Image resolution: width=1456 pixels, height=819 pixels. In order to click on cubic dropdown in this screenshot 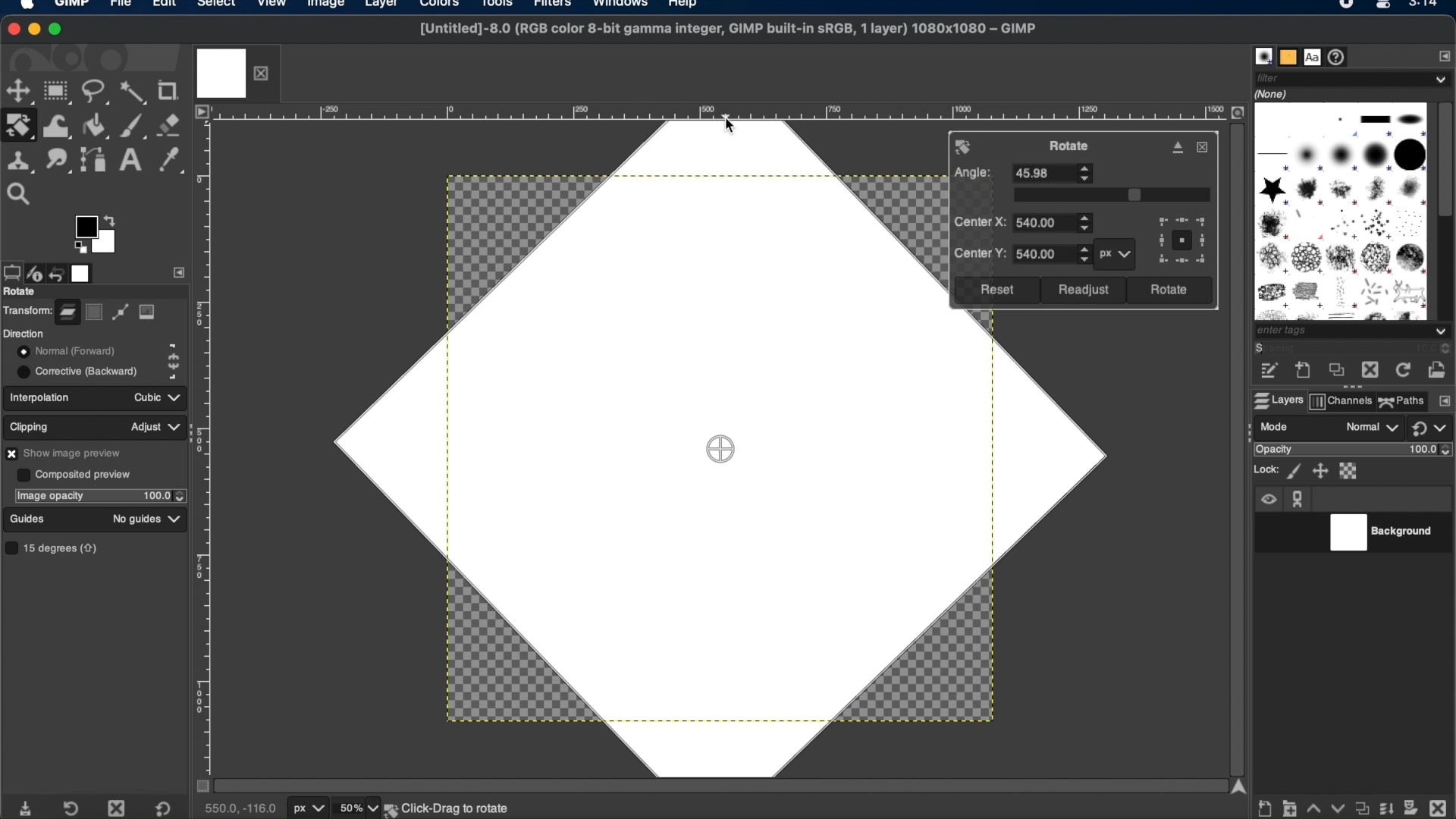, I will do `click(153, 397)`.